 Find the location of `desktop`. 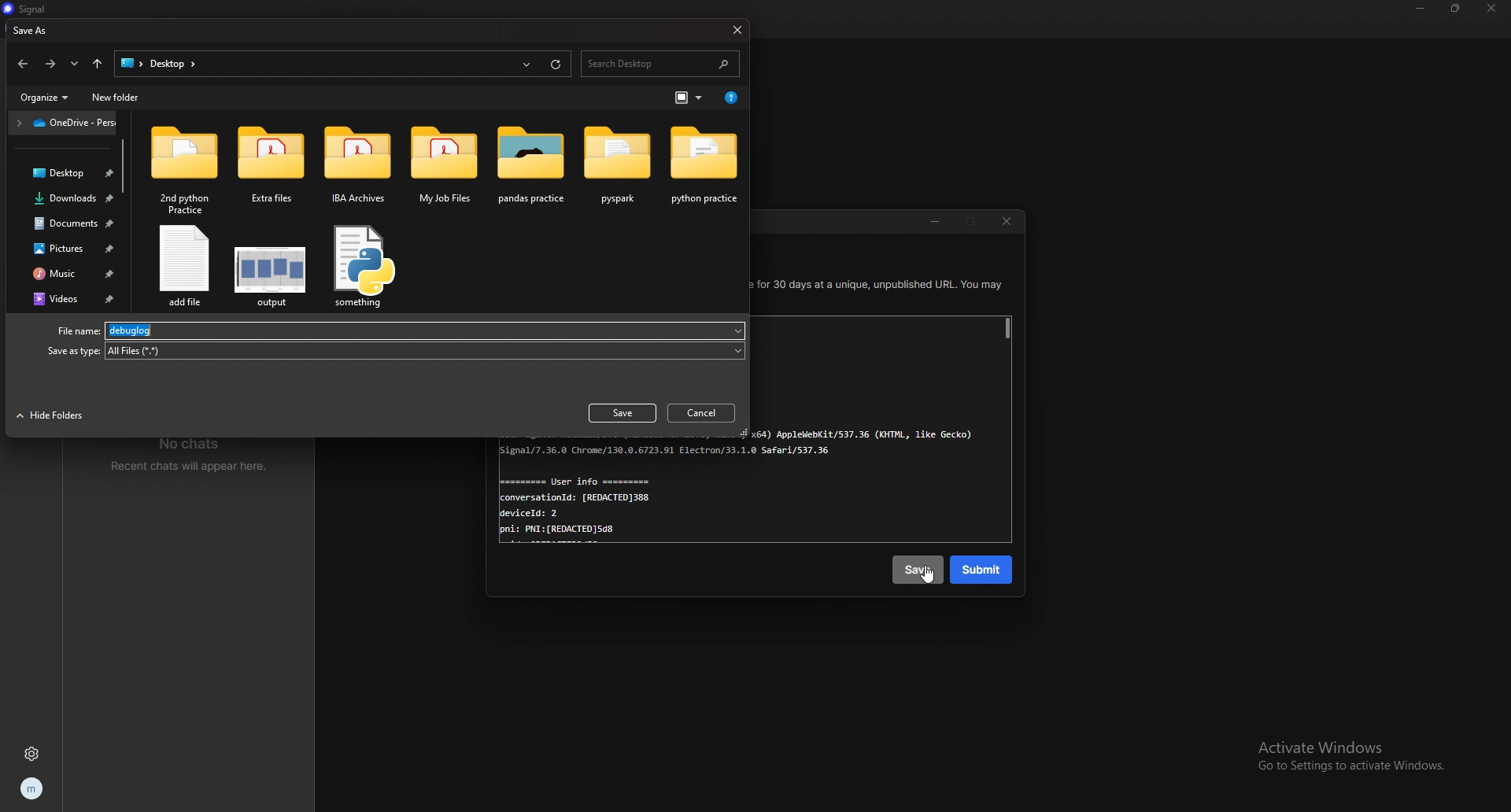

desktop is located at coordinates (66, 173).